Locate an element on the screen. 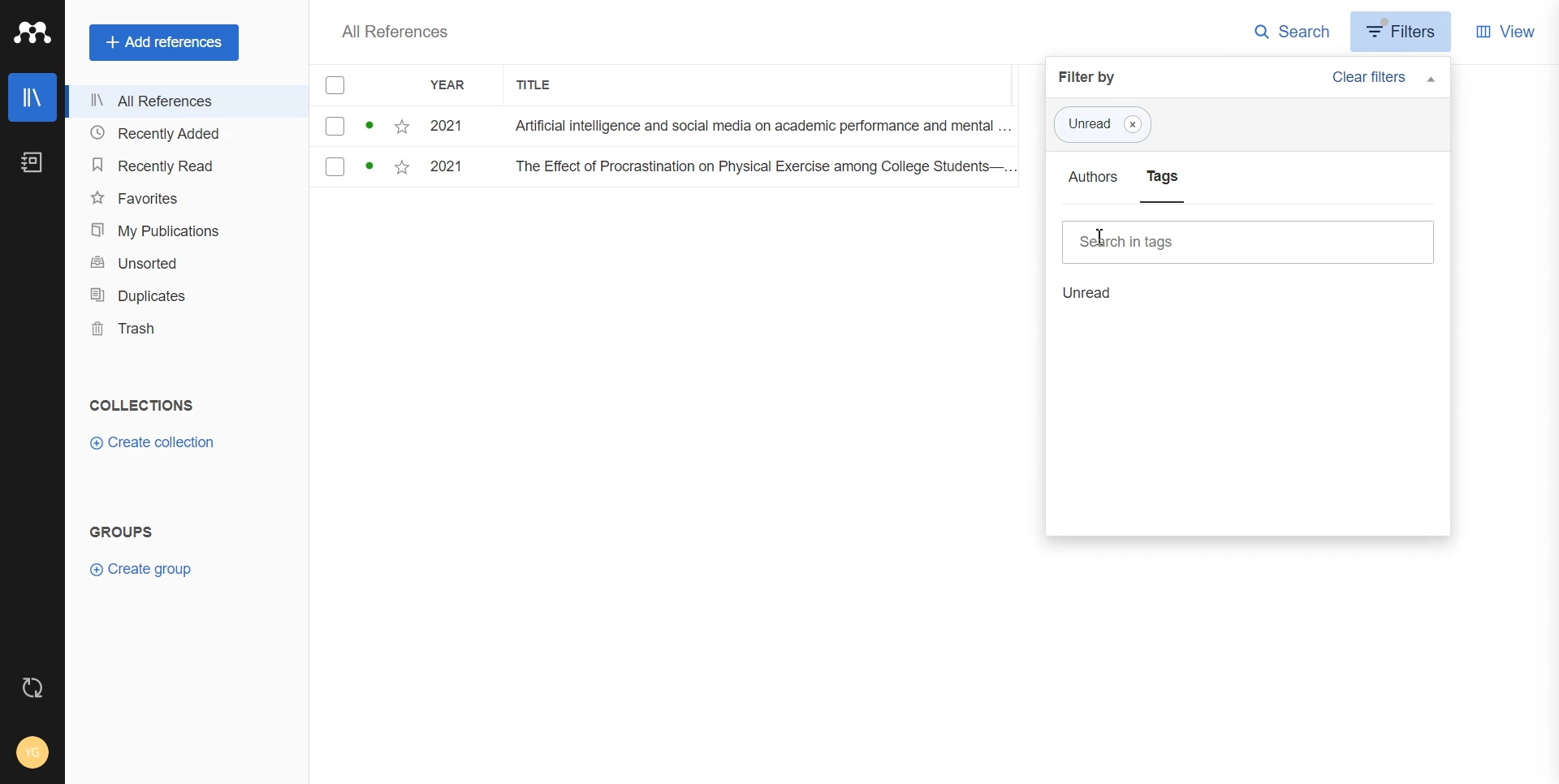  Tags is located at coordinates (1161, 184).